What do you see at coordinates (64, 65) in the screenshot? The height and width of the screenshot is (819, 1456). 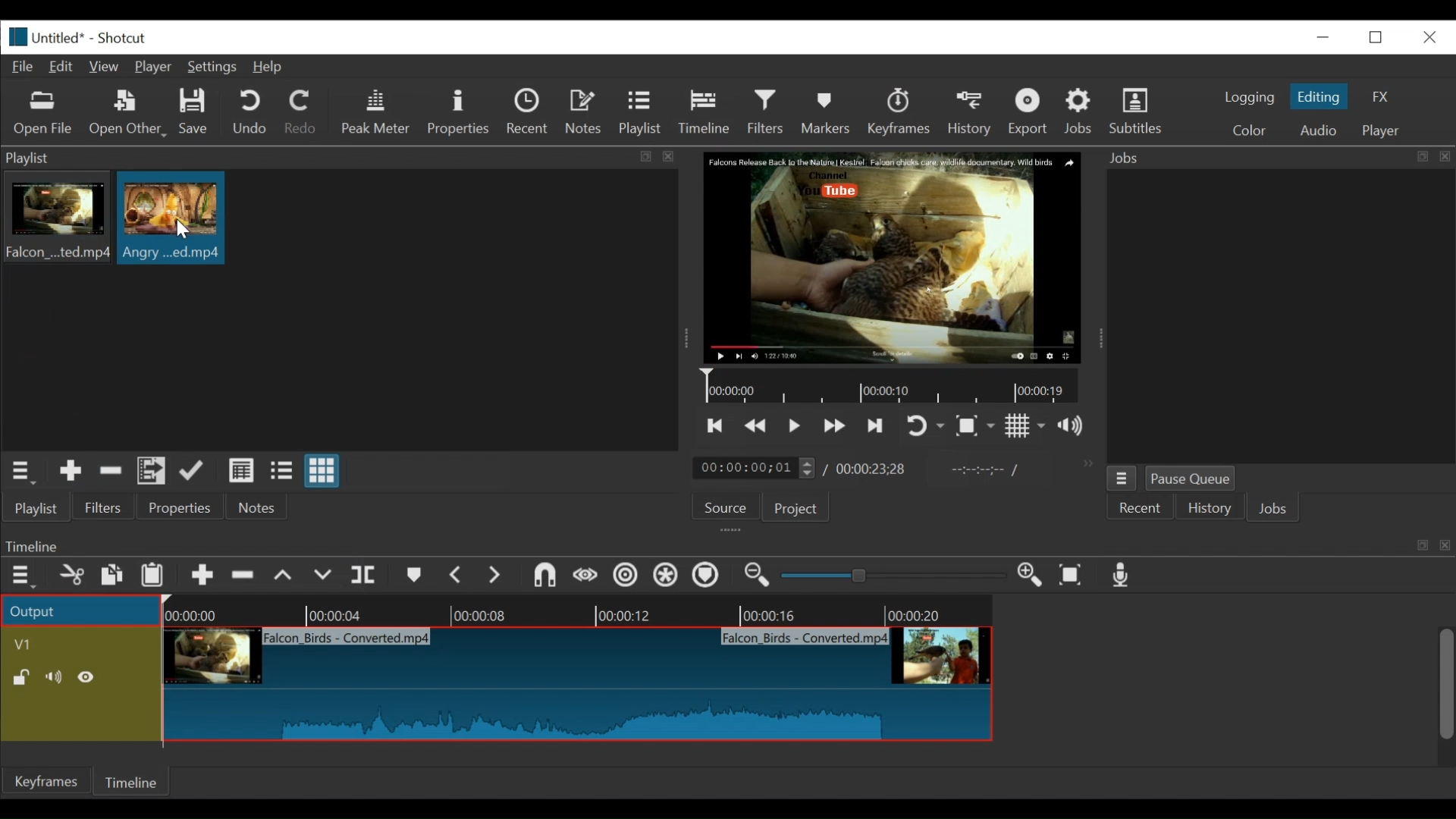 I see `Edit` at bounding box center [64, 65].